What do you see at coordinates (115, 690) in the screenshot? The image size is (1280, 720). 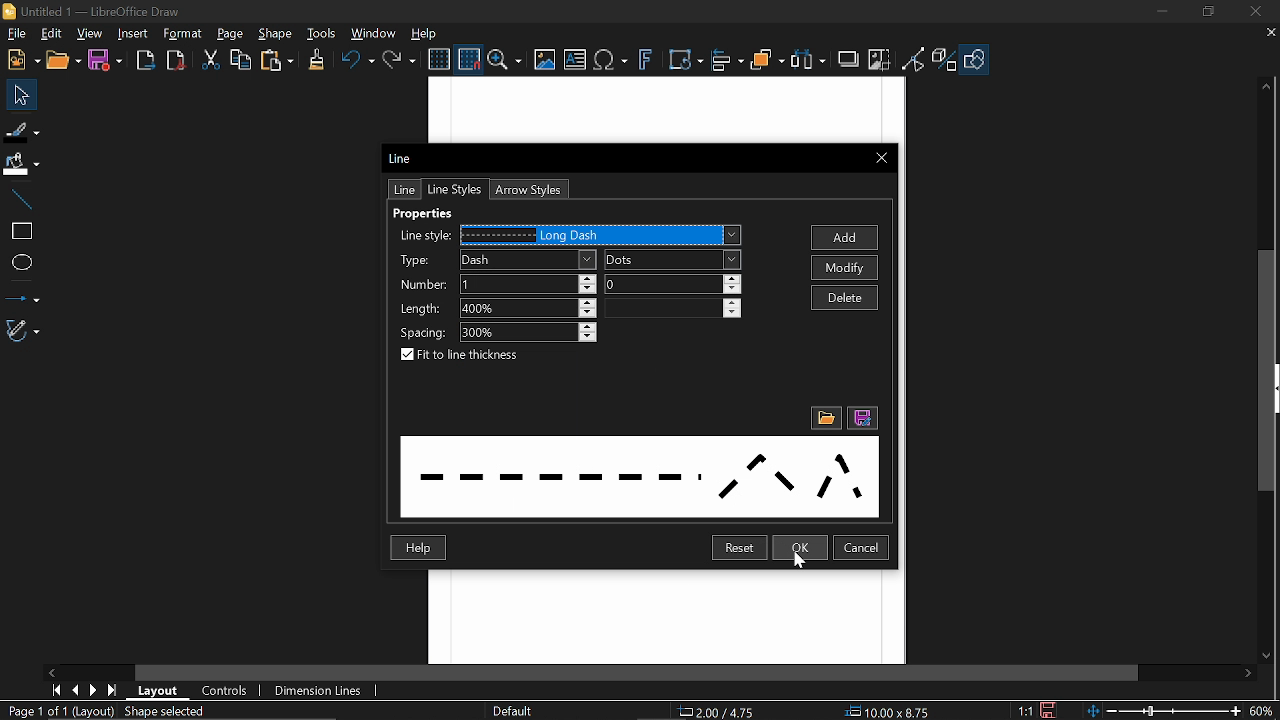 I see `Last page` at bounding box center [115, 690].